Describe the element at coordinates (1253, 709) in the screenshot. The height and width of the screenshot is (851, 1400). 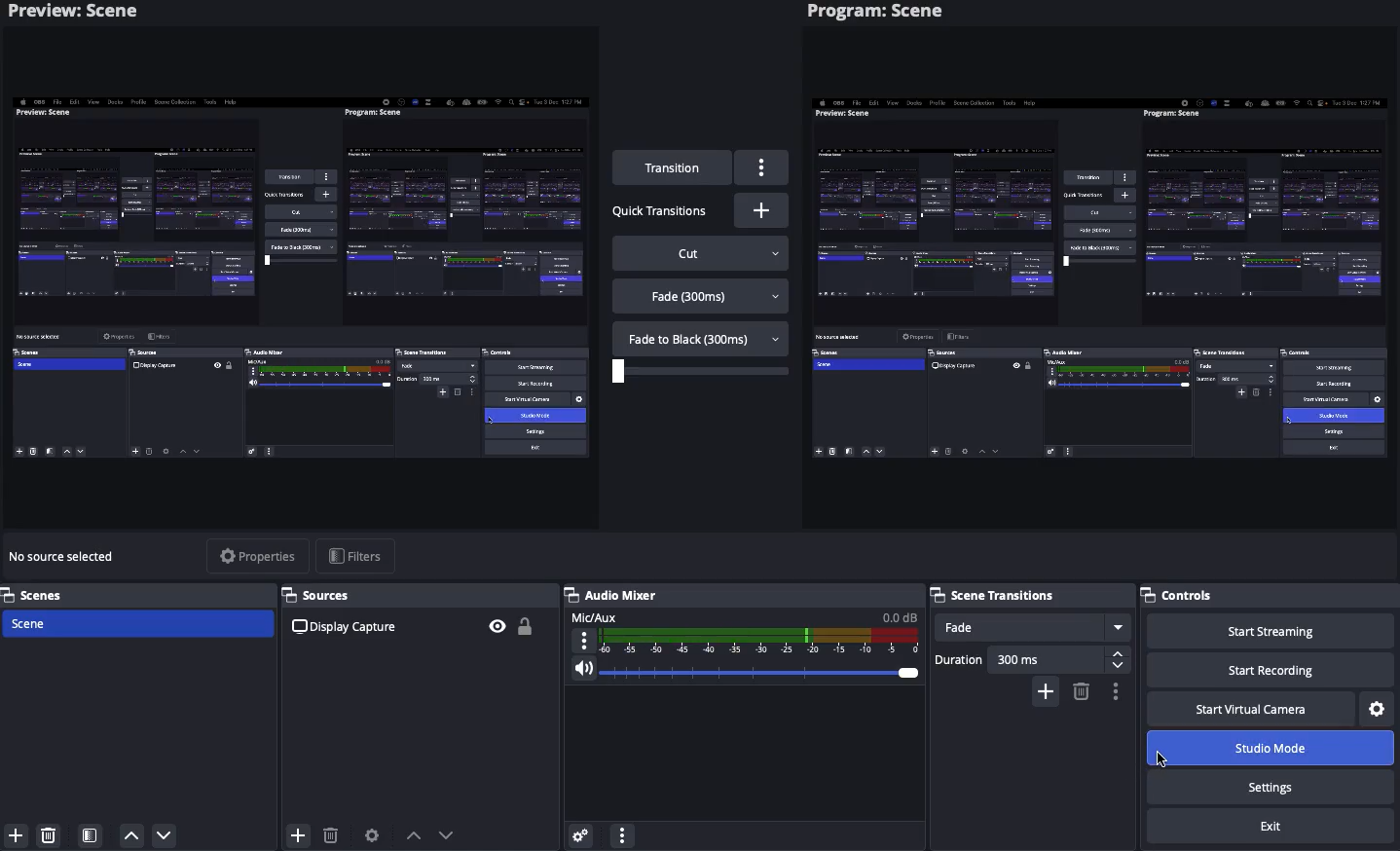
I see `Start virtual camera` at that location.